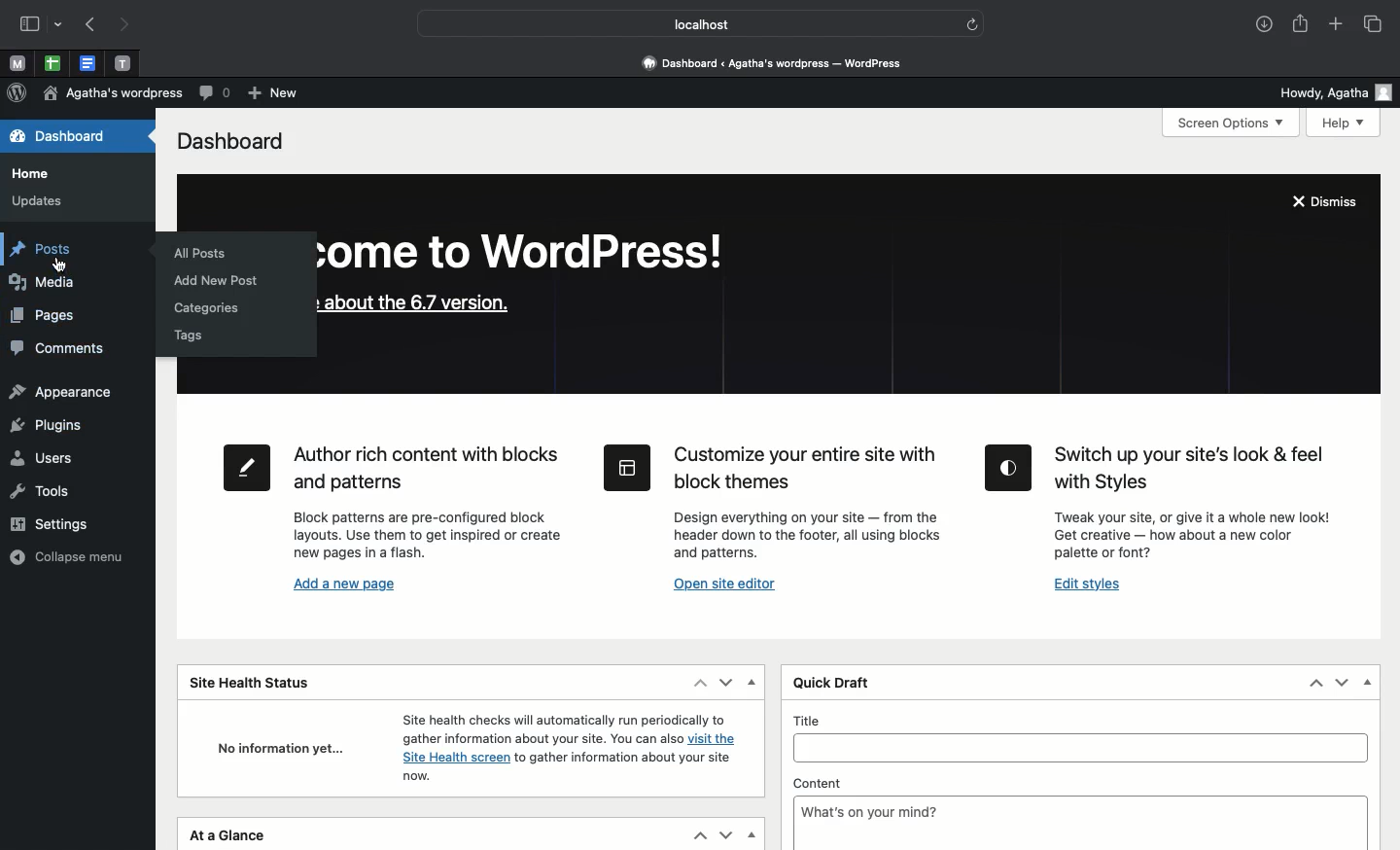 This screenshot has width=1400, height=850. I want to click on Hide, so click(751, 686).